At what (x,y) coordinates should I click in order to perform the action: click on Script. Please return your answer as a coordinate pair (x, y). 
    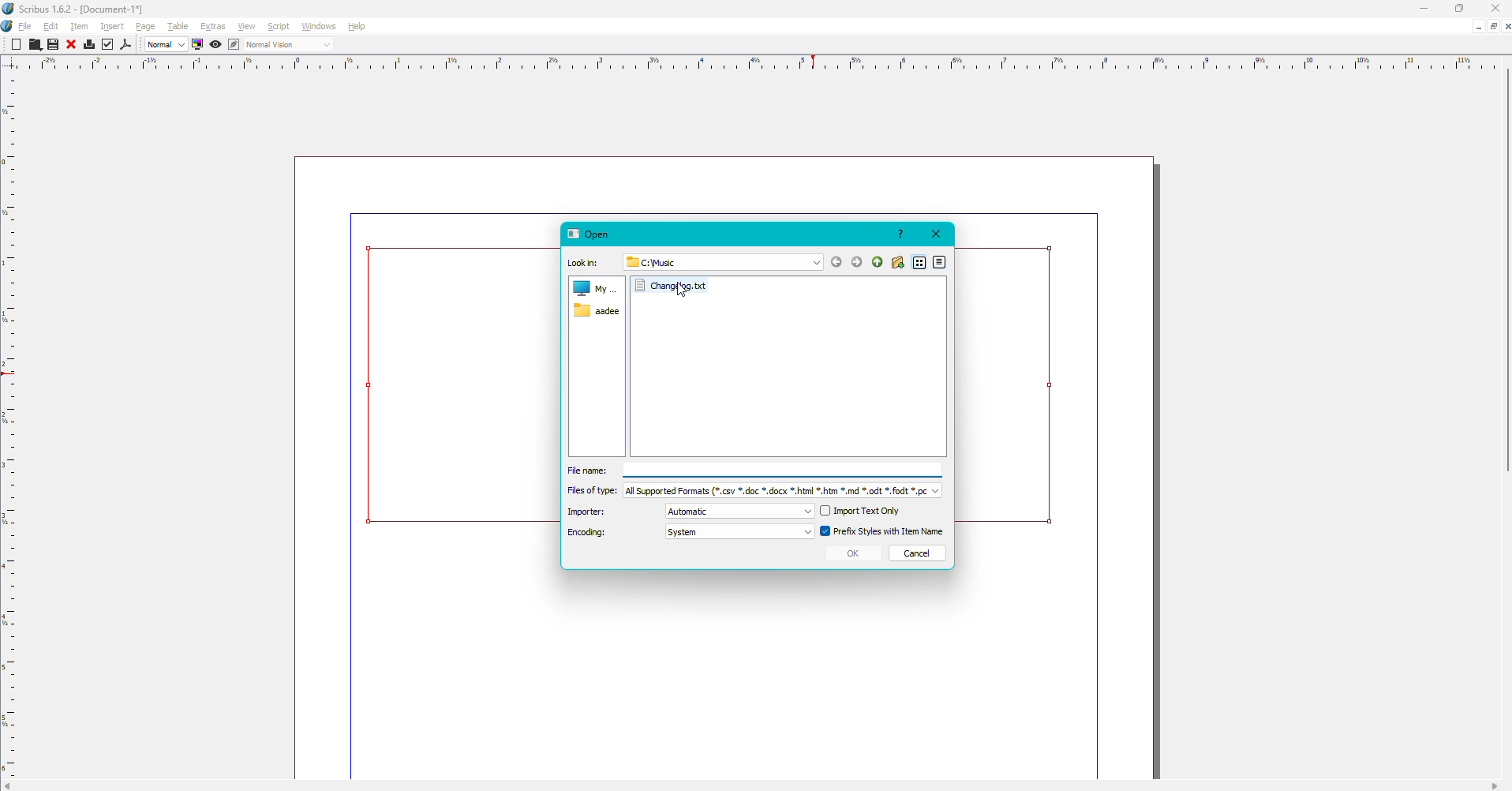
    Looking at the image, I should click on (278, 27).